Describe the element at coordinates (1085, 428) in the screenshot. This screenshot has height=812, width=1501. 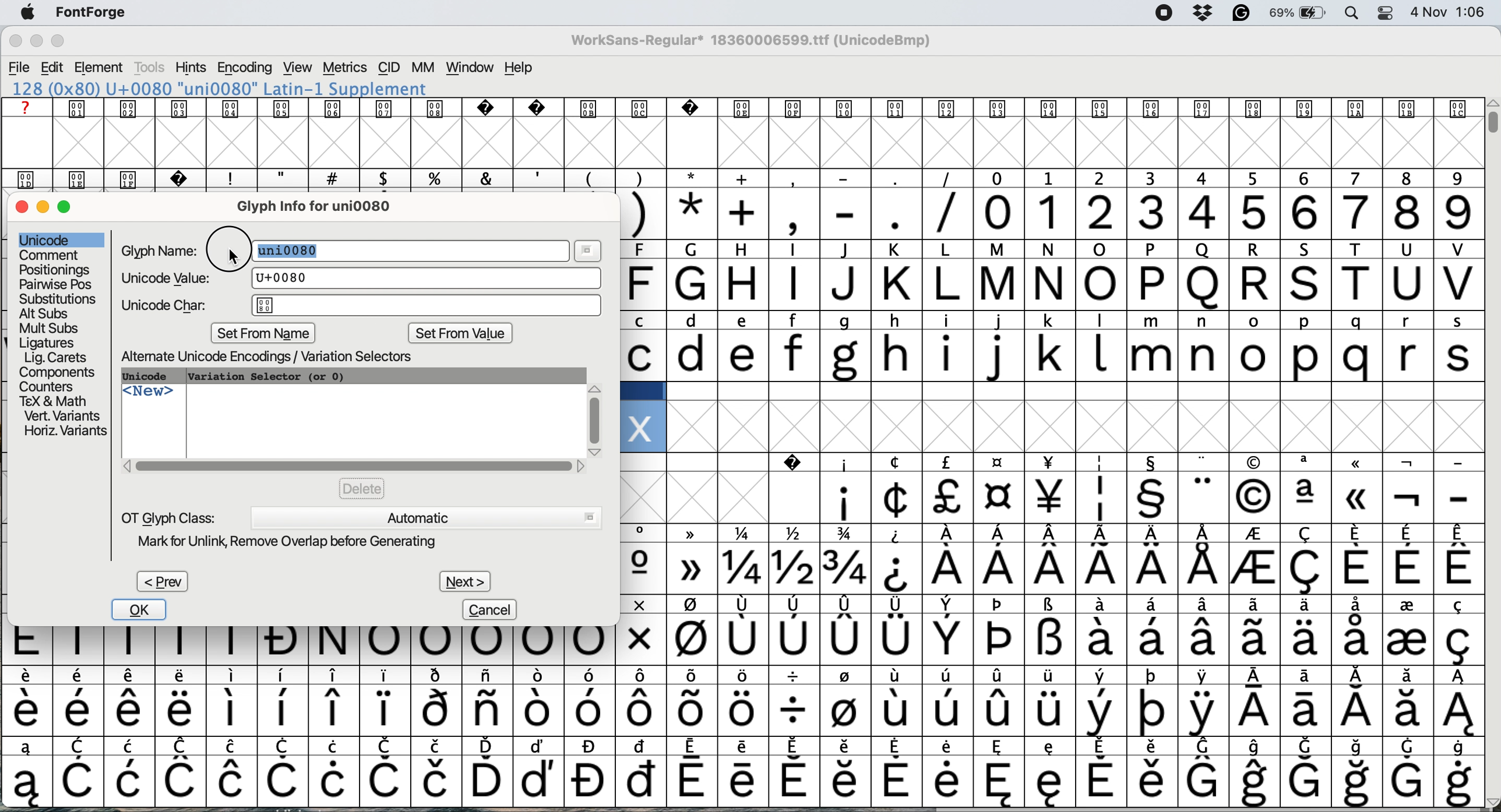
I see `glyph grid` at that location.